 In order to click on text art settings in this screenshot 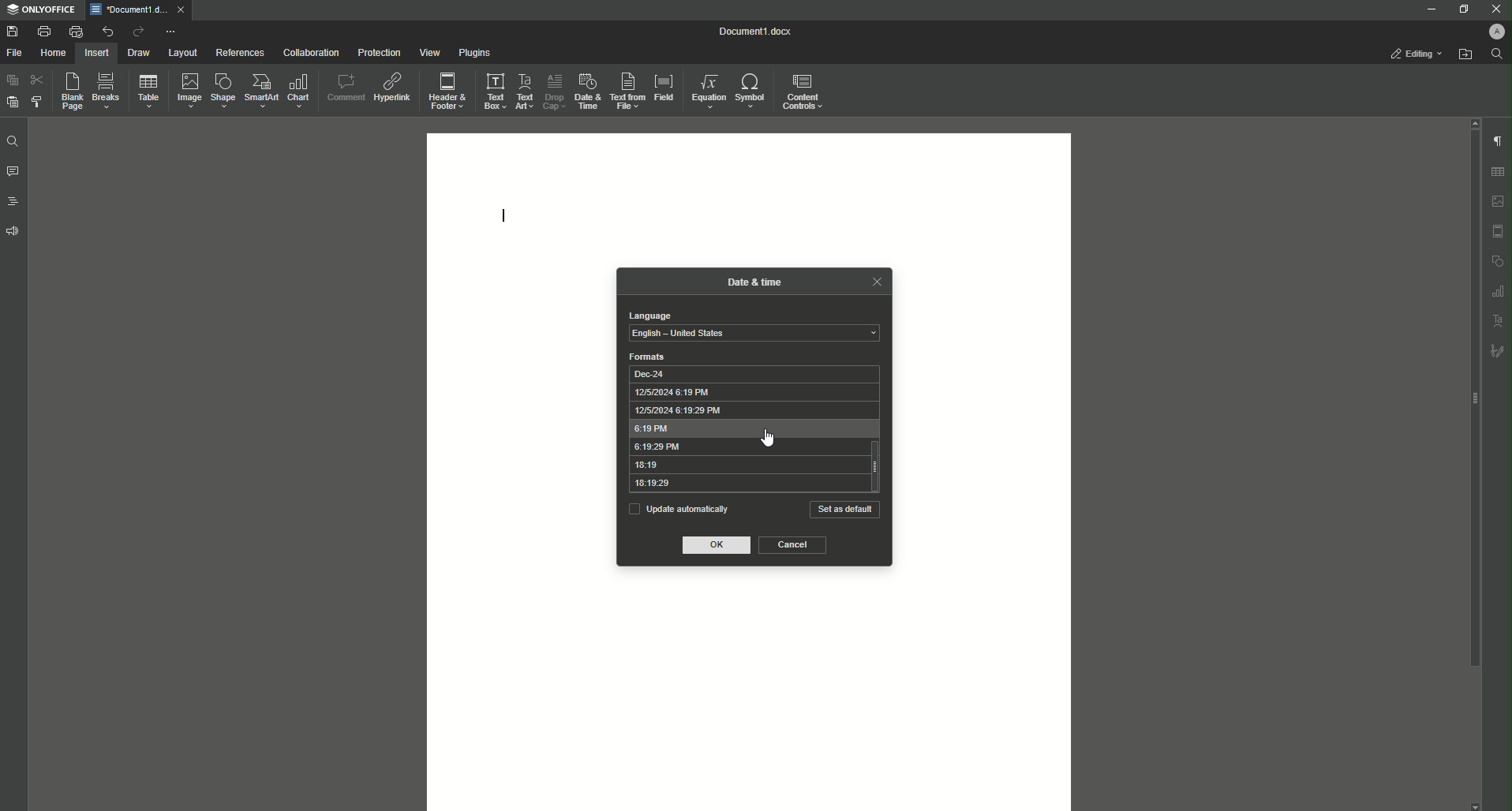, I will do `click(1499, 319)`.